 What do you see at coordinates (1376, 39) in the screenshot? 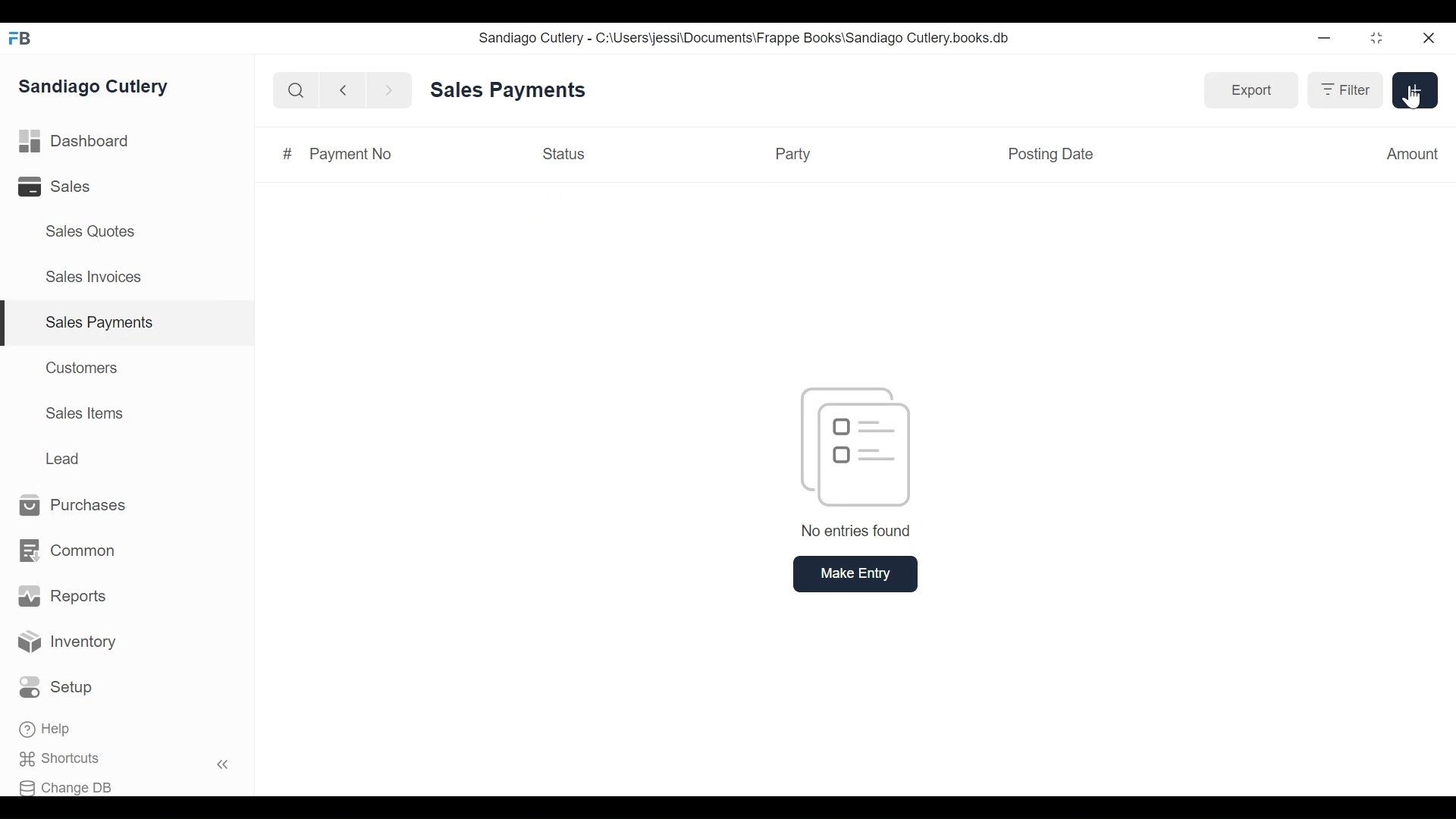
I see `Restore` at bounding box center [1376, 39].